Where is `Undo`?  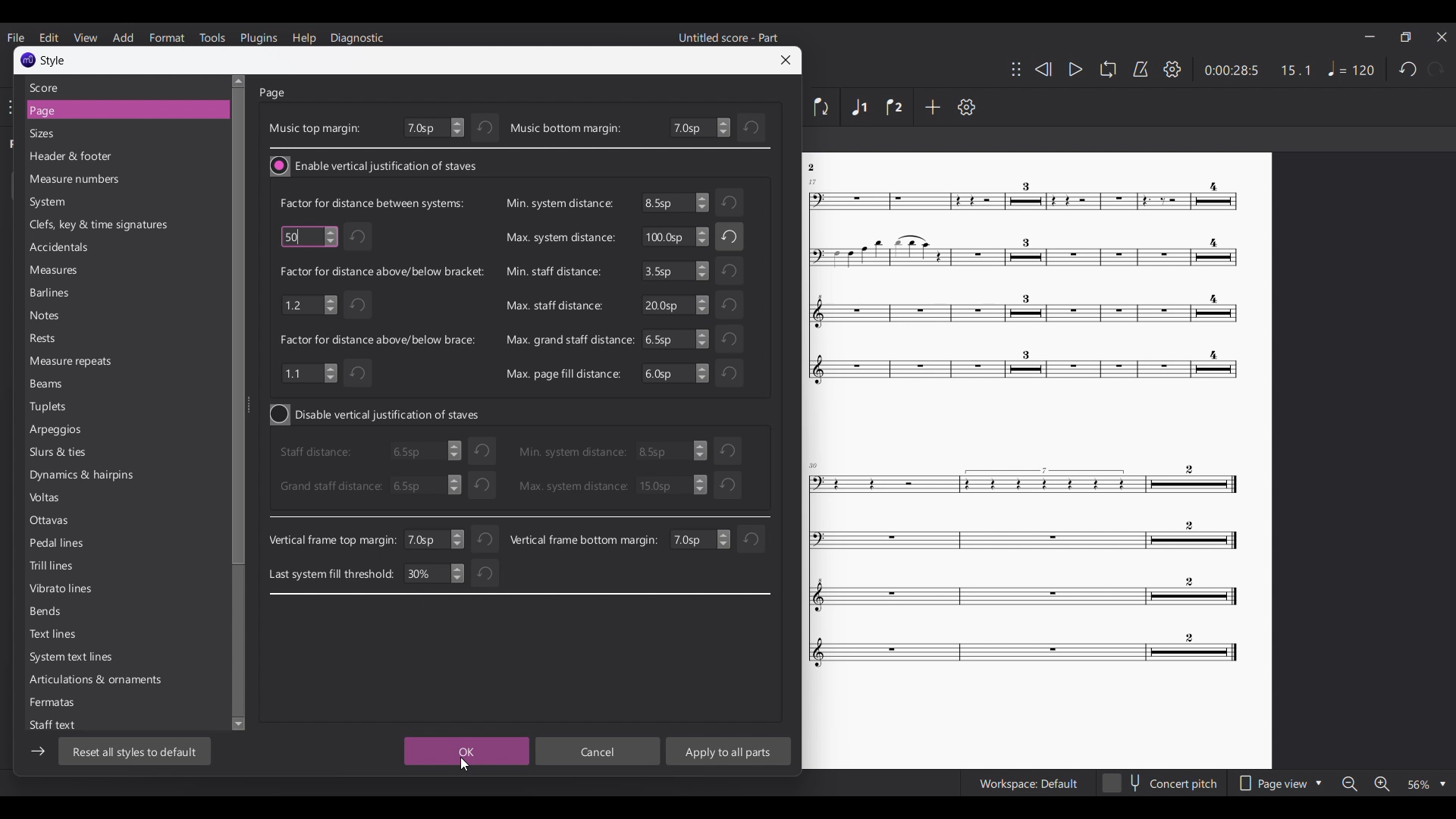 Undo is located at coordinates (359, 304).